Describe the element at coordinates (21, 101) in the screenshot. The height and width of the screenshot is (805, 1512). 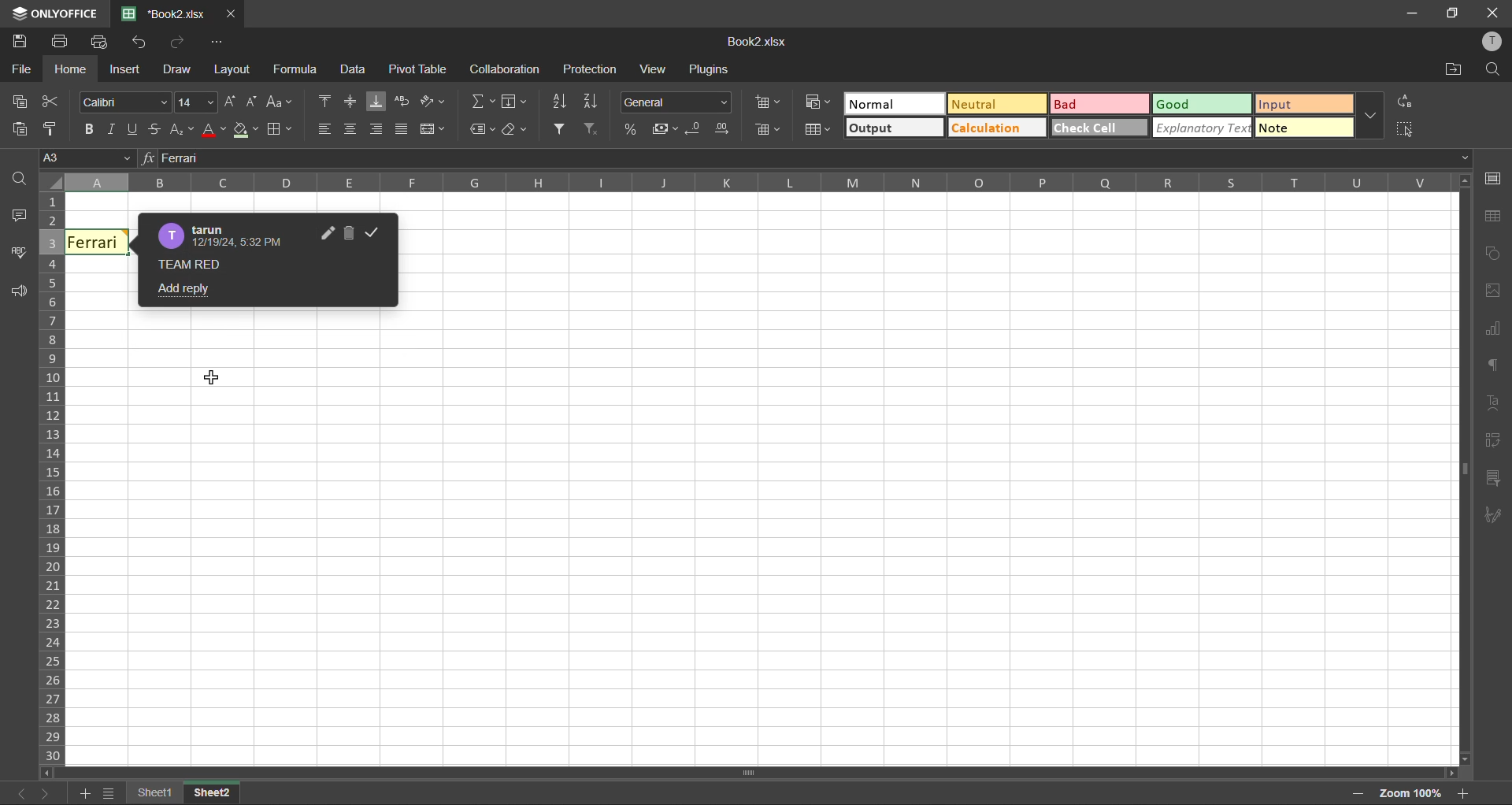
I see `copy` at that location.